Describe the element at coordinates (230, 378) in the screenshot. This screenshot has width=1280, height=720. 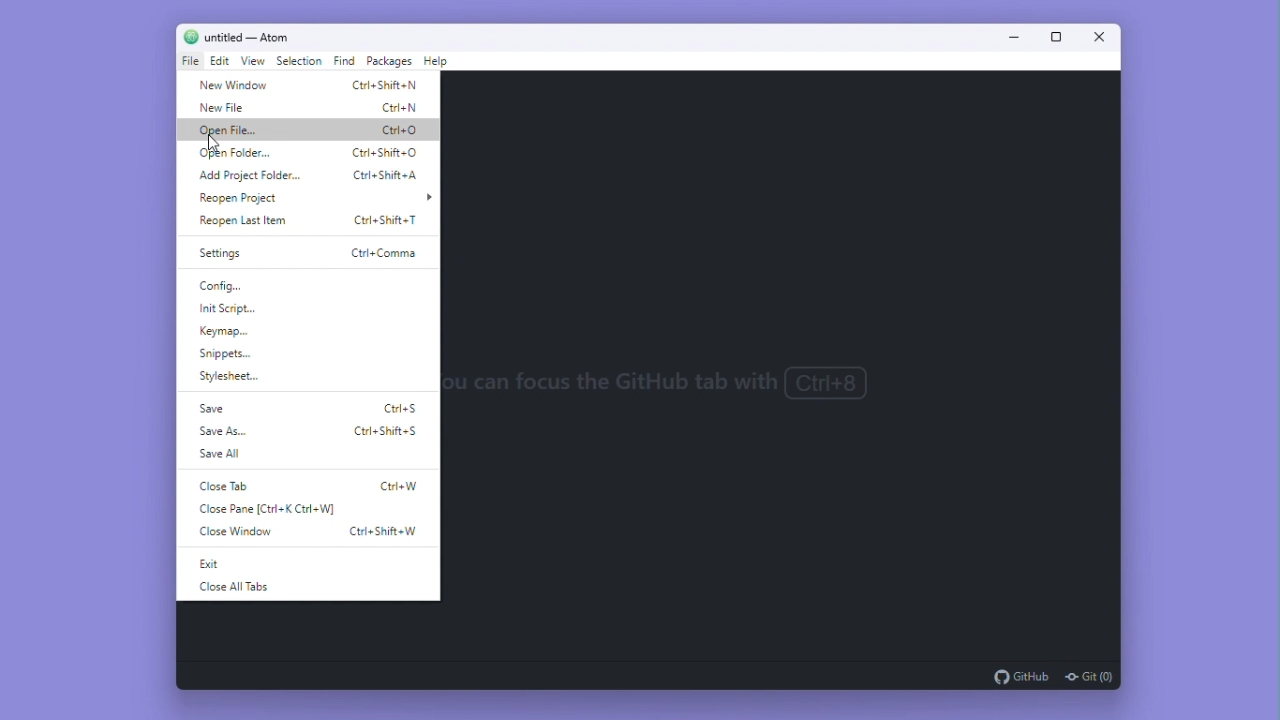
I see `Stylesheet...` at that location.